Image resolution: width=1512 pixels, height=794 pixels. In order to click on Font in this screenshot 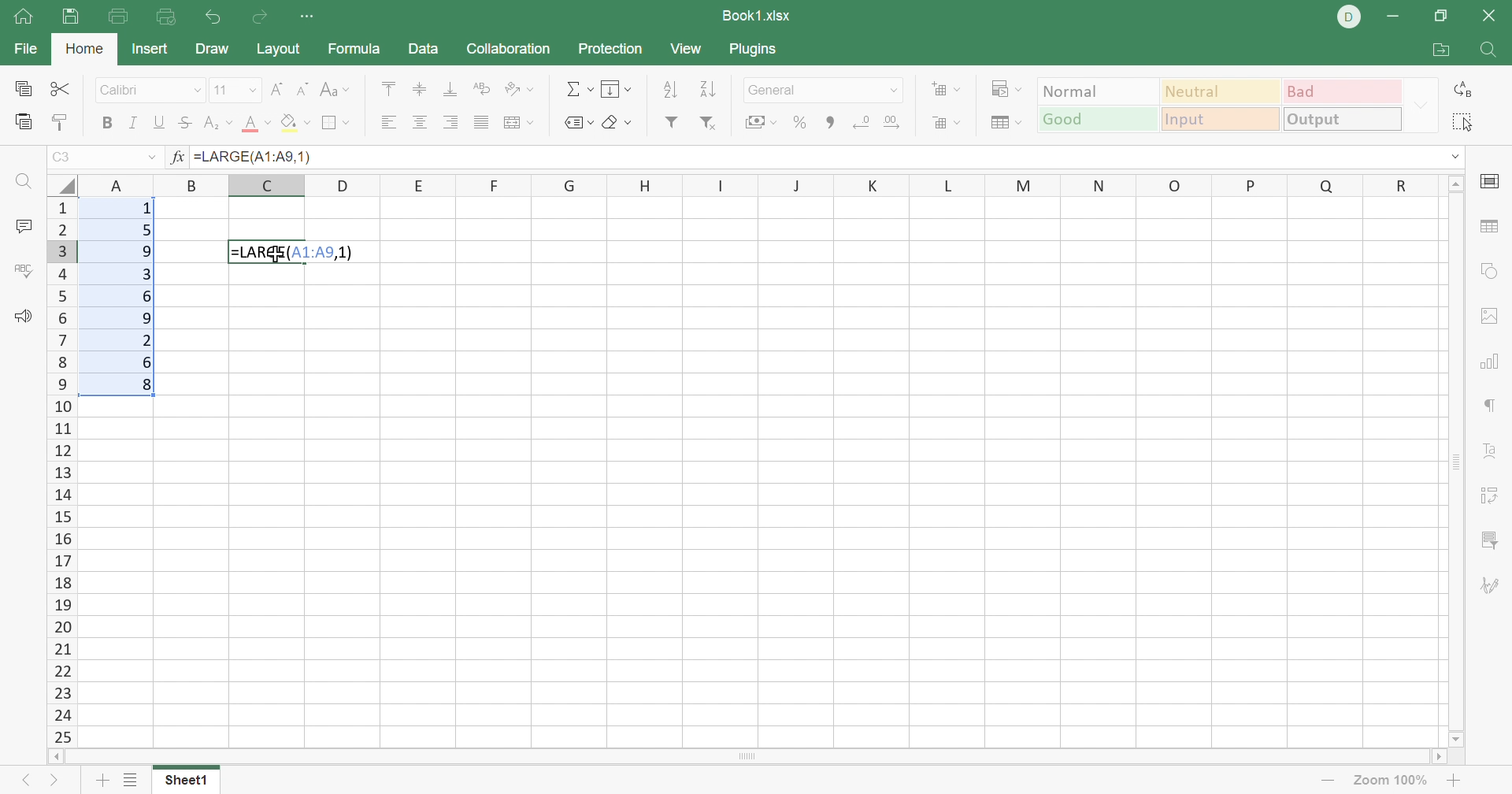, I will do `click(138, 90)`.